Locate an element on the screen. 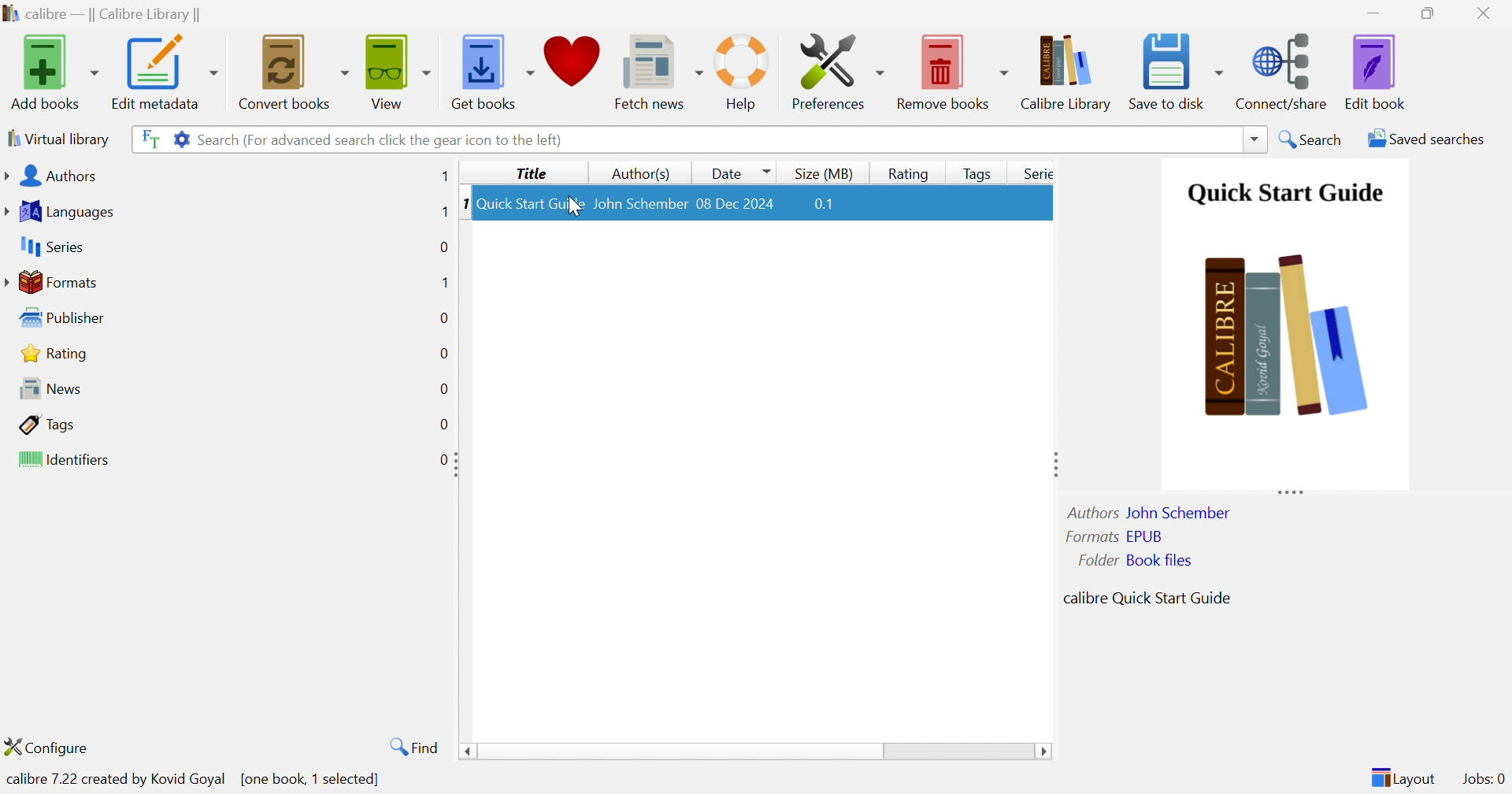 This screenshot has width=1512, height=794. 0 is located at coordinates (443, 247).